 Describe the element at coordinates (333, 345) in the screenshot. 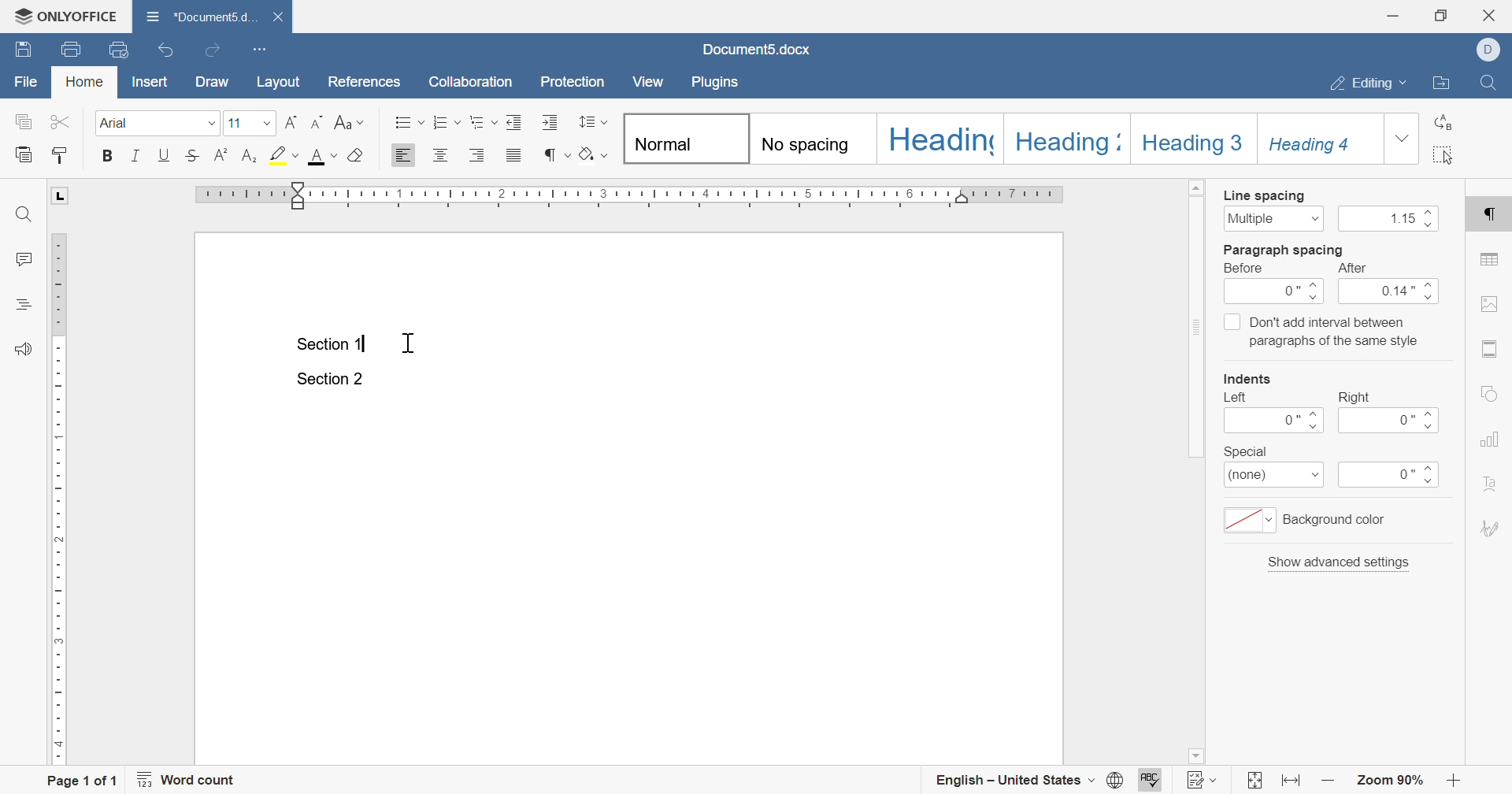

I see `section 1` at that location.